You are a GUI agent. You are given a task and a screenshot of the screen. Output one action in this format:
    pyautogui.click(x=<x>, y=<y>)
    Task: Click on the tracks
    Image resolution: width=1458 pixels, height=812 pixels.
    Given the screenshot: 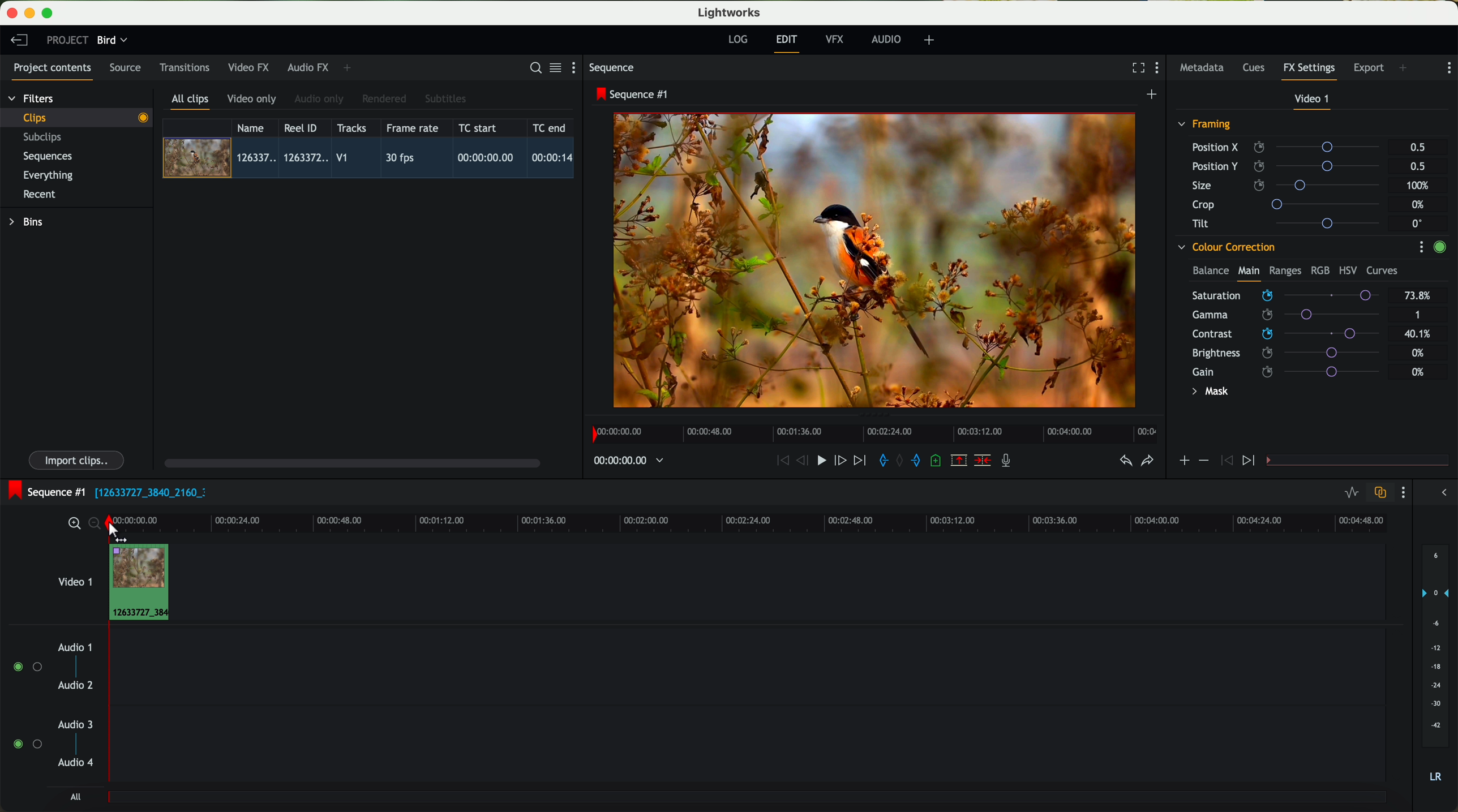 What is the action you would take?
    pyautogui.click(x=350, y=128)
    